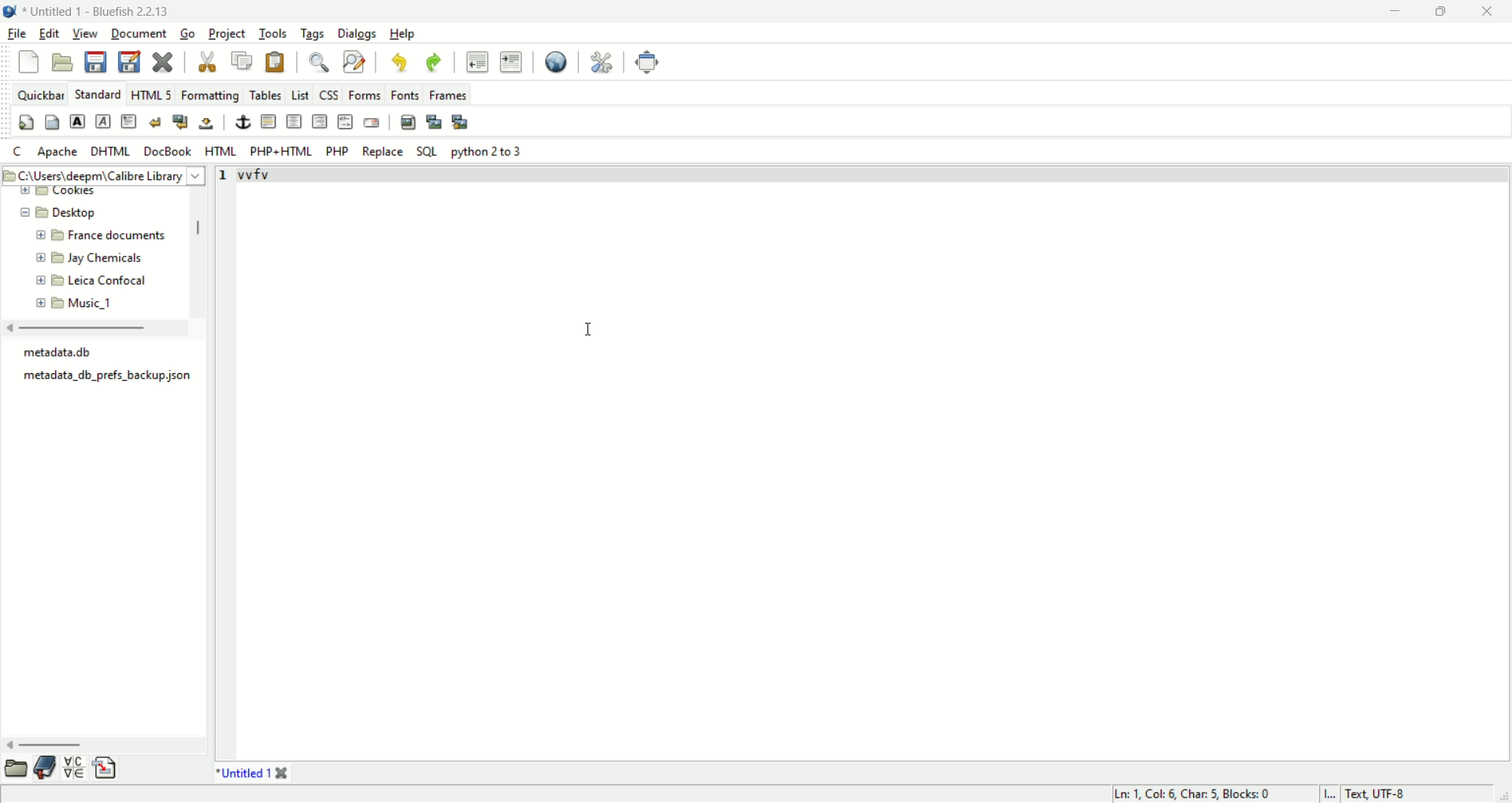 The height and width of the screenshot is (803, 1512). Describe the element at coordinates (227, 35) in the screenshot. I see `project` at that location.